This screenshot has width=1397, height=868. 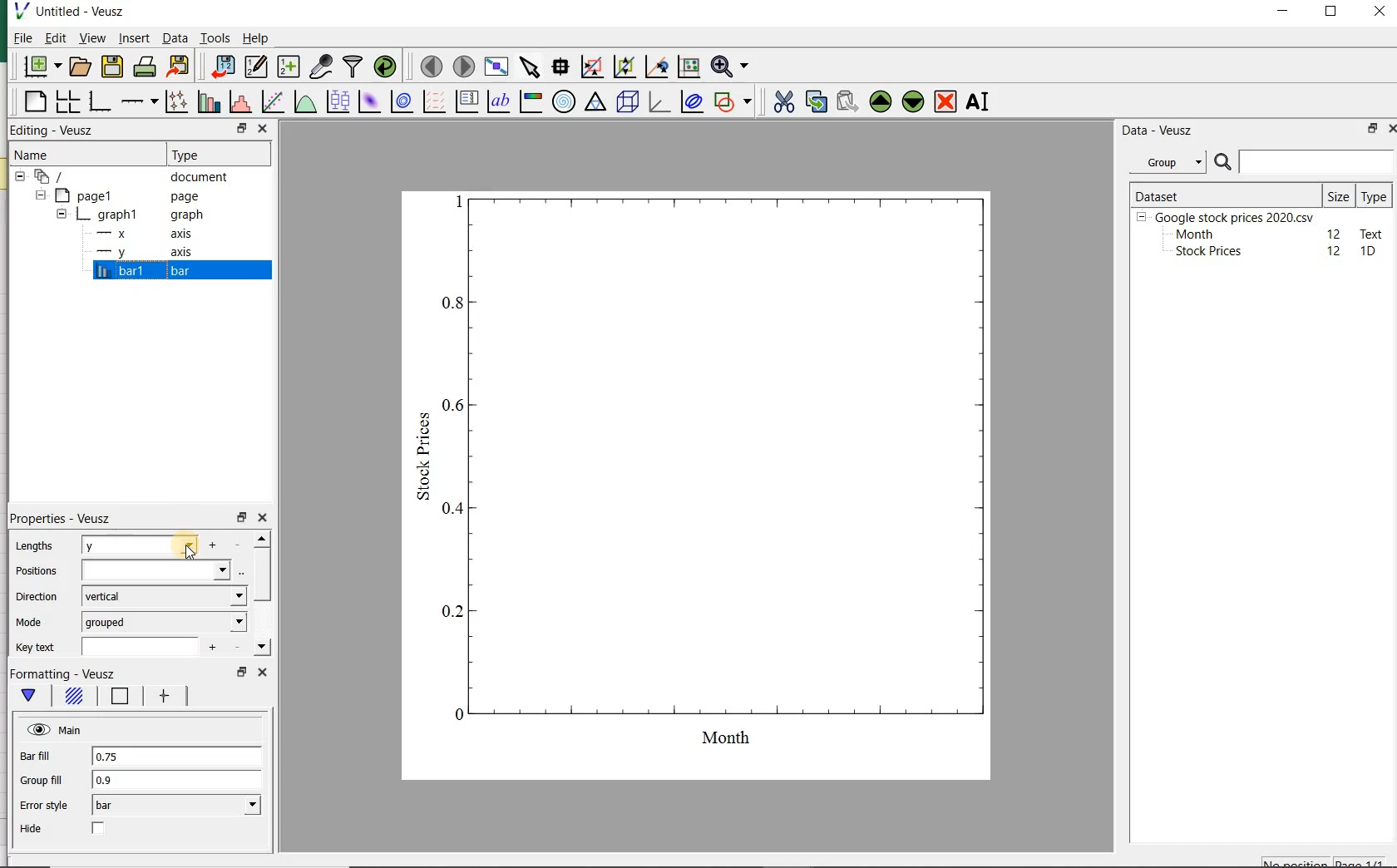 What do you see at coordinates (36, 757) in the screenshot?
I see `Bar fill` at bounding box center [36, 757].